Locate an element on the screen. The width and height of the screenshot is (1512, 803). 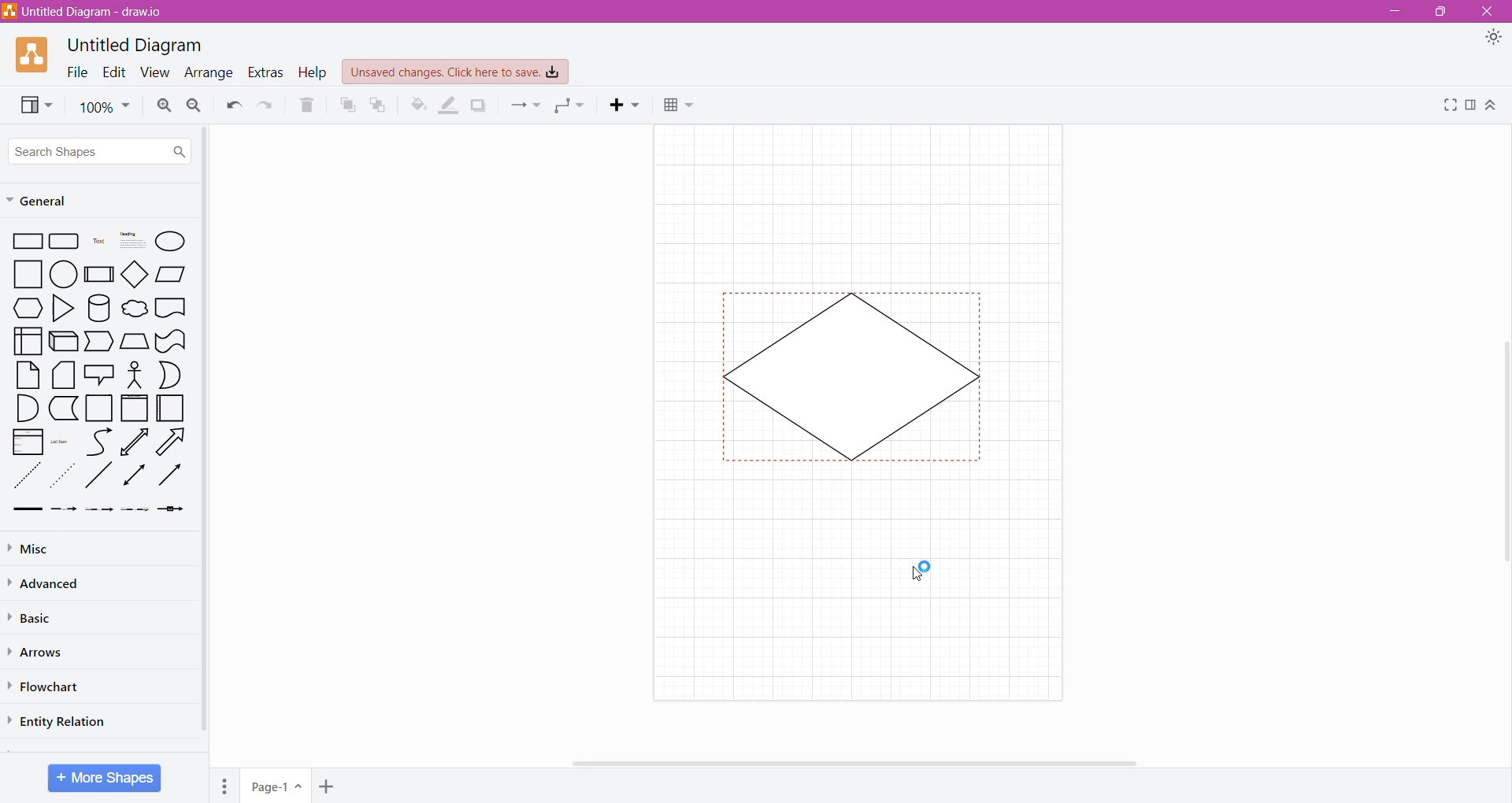
Cursor is located at coordinates (919, 577).